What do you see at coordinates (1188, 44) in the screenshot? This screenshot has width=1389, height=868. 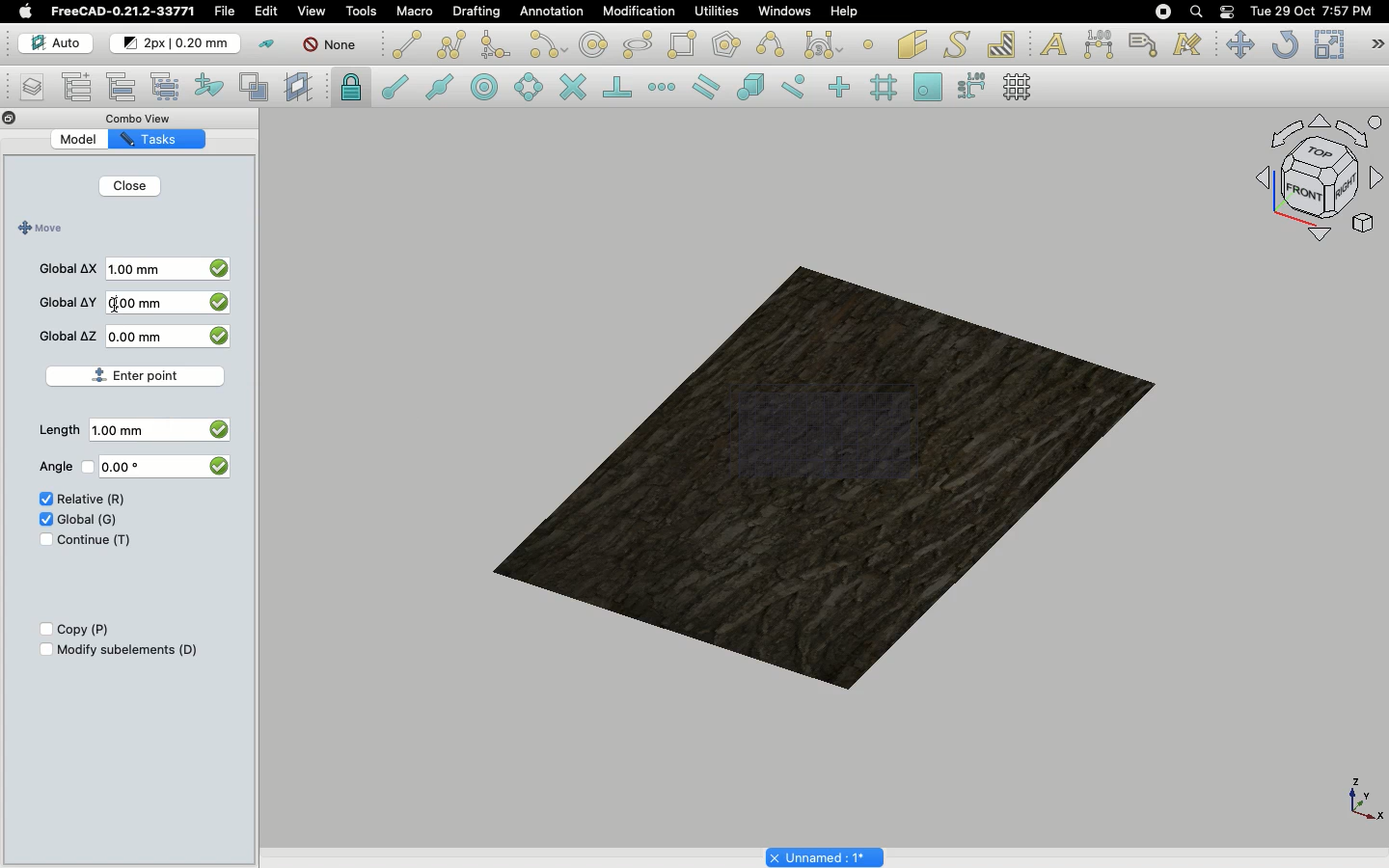 I see `Annotation styles` at bounding box center [1188, 44].